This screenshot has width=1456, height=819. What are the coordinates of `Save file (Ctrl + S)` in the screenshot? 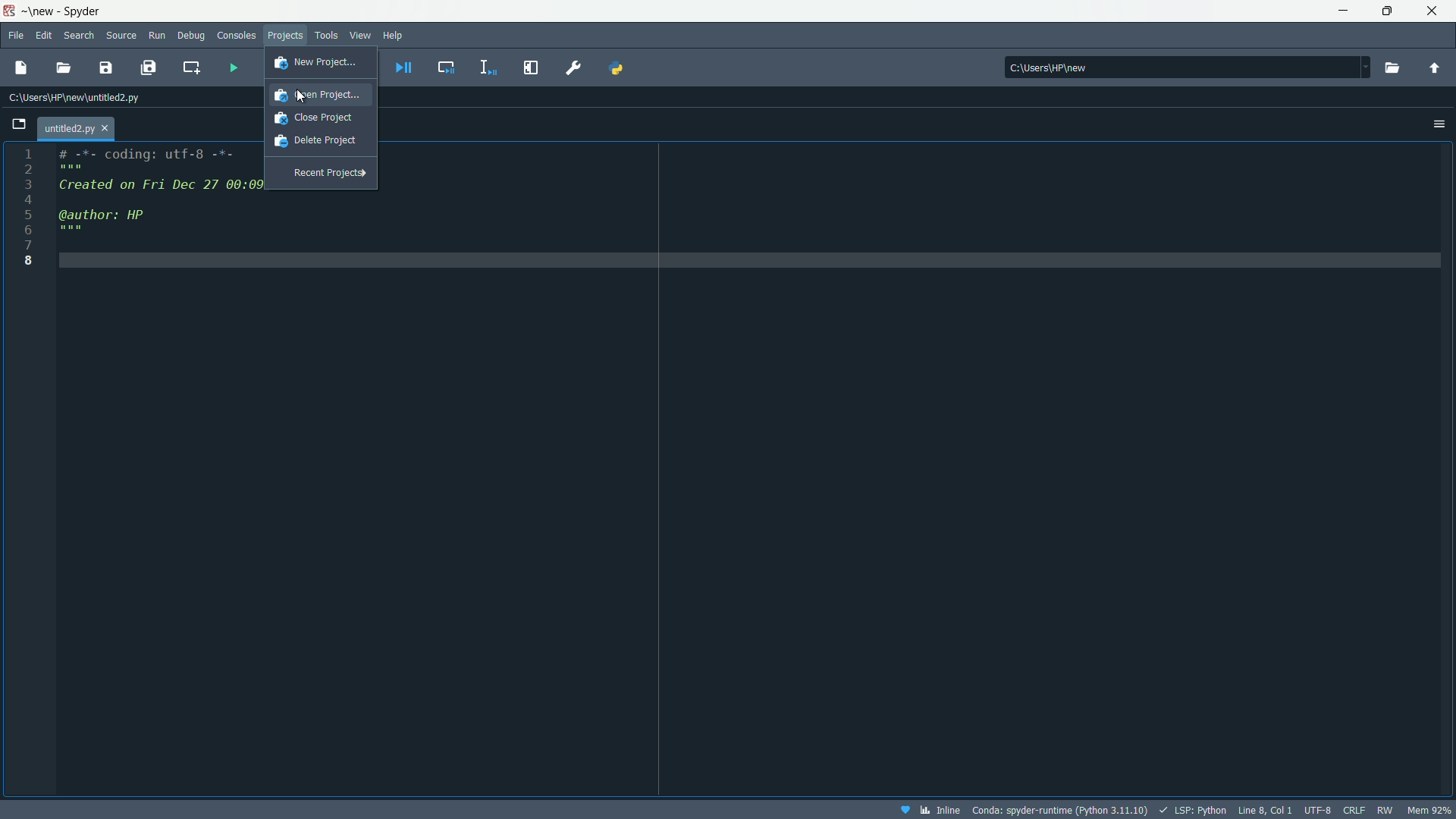 It's located at (107, 68).